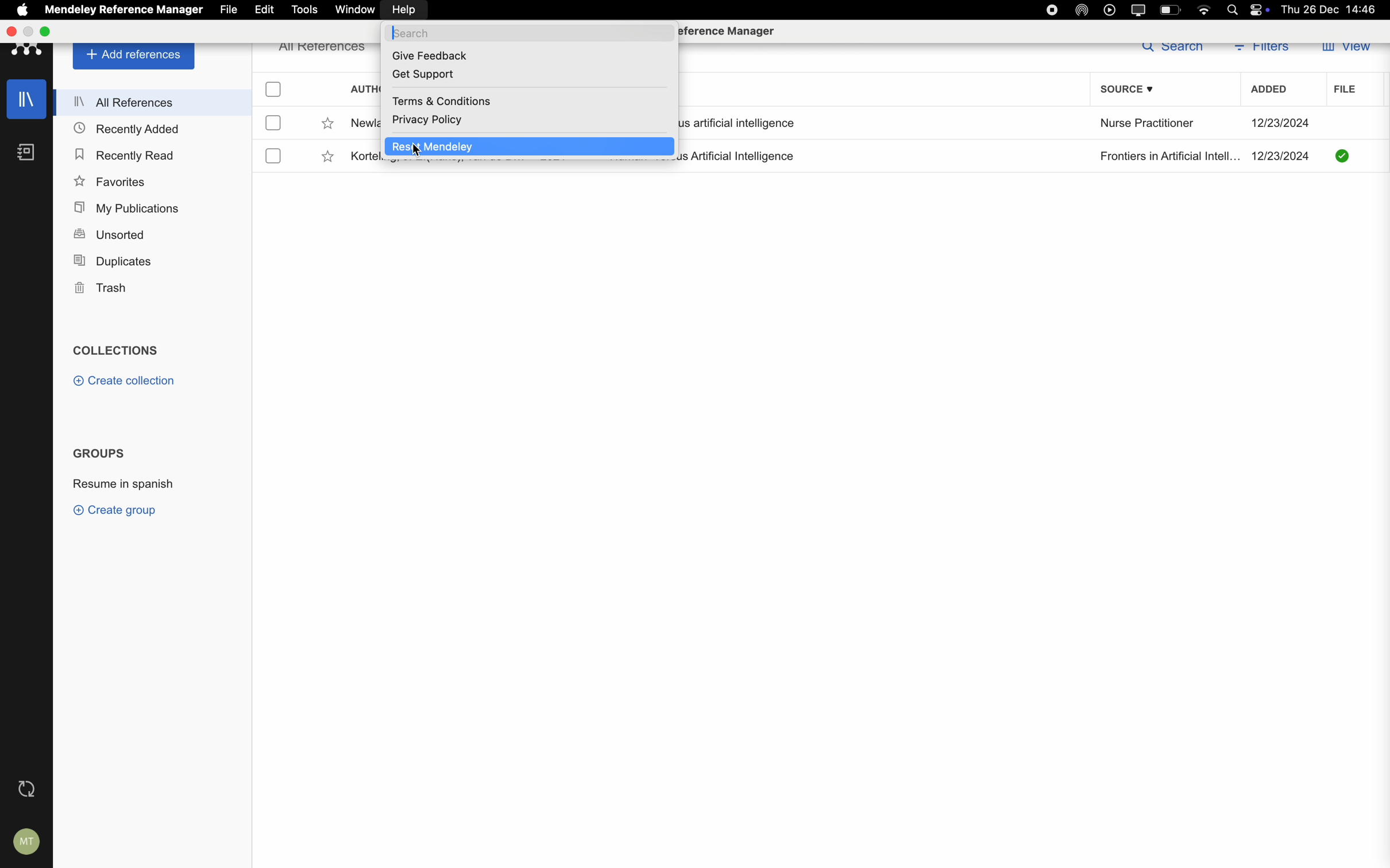 The height and width of the screenshot is (868, 1390). I want to click on recently read, so click(126, 154).